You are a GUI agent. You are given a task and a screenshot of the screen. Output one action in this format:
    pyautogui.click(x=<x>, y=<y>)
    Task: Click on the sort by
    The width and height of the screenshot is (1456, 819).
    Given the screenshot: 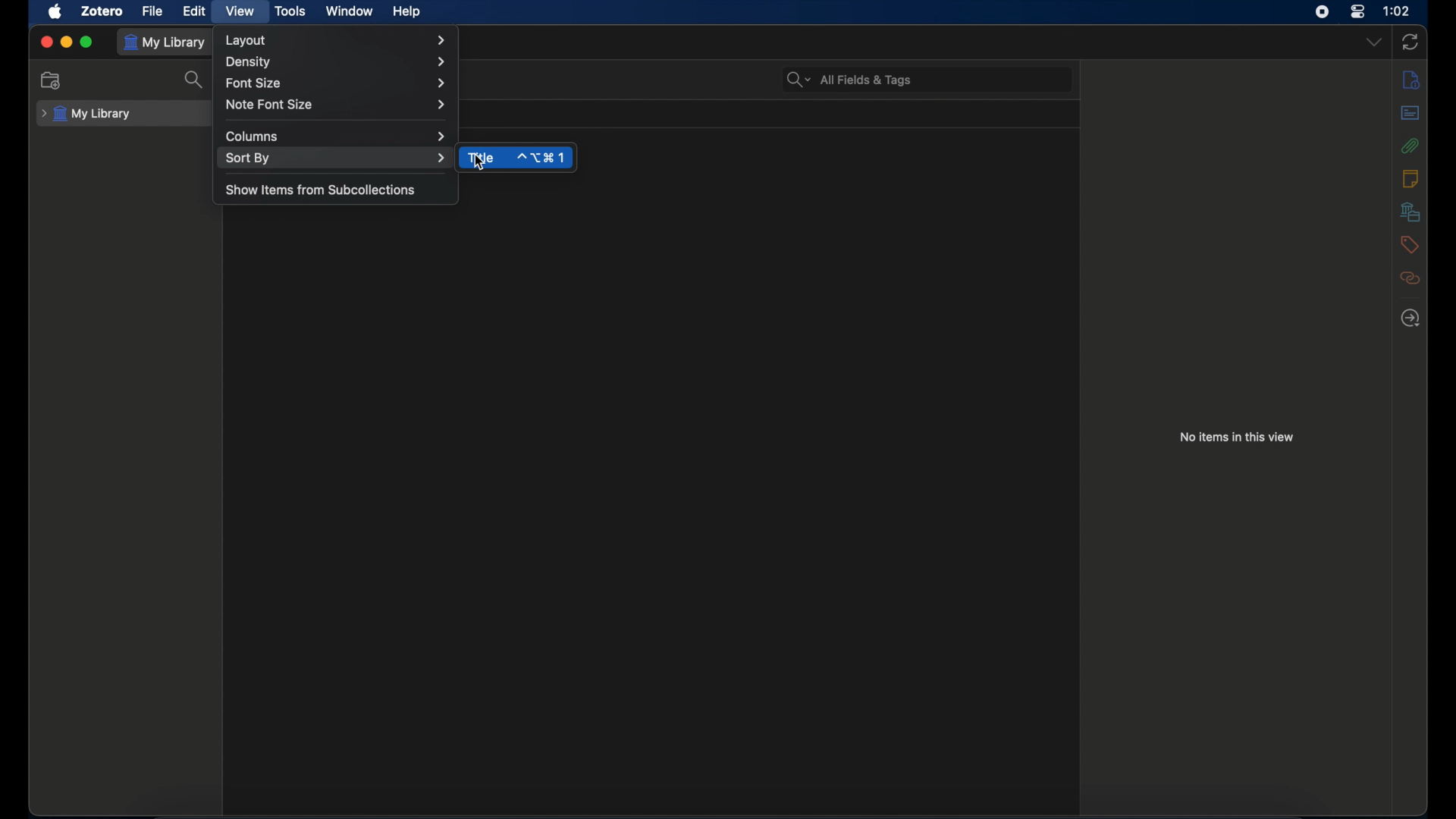 What is the action you would take?
    pyautogui.click(x=336, y=158)
    